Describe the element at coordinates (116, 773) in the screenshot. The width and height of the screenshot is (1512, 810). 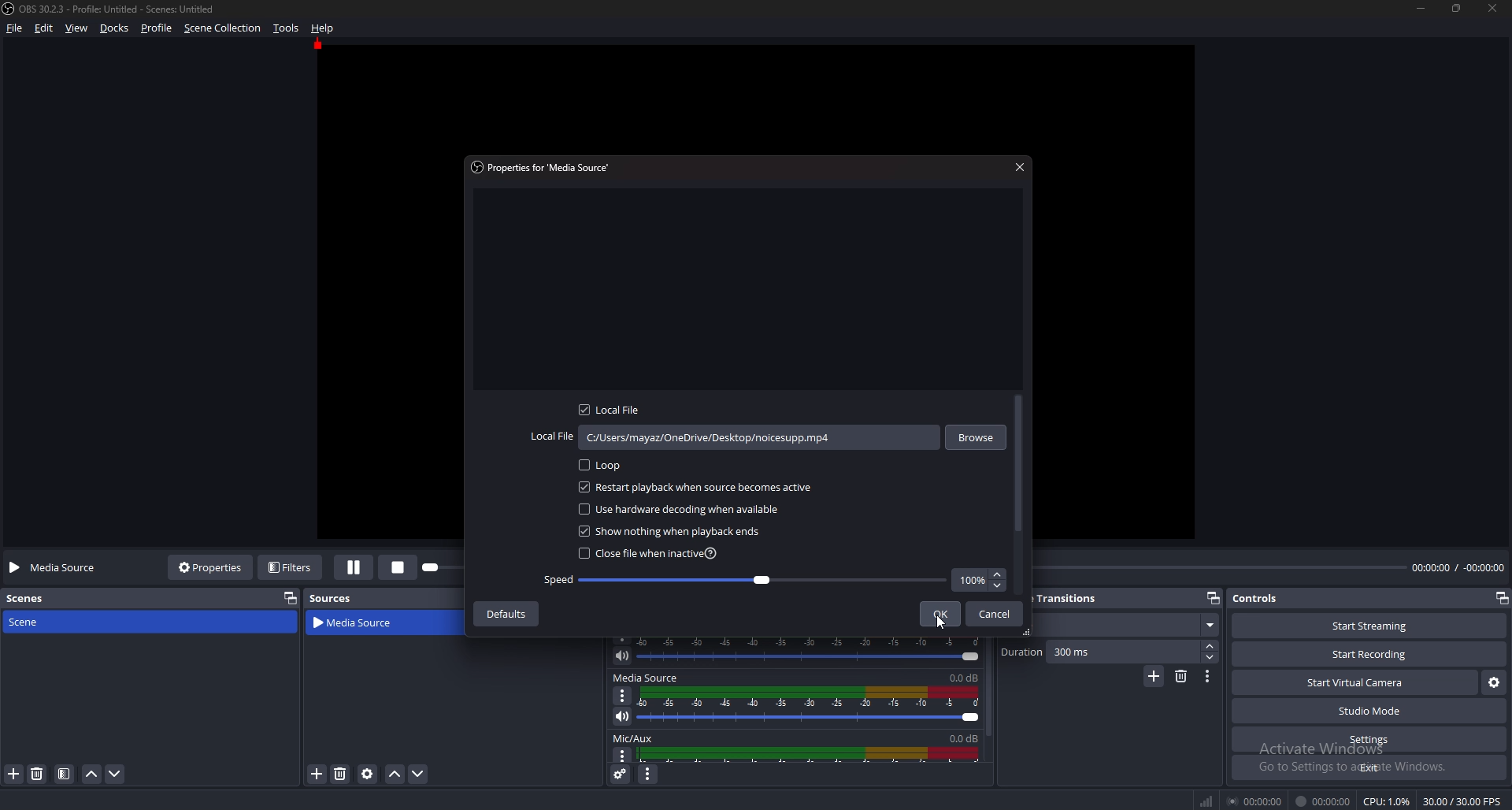
I see `move scene down` at that location.